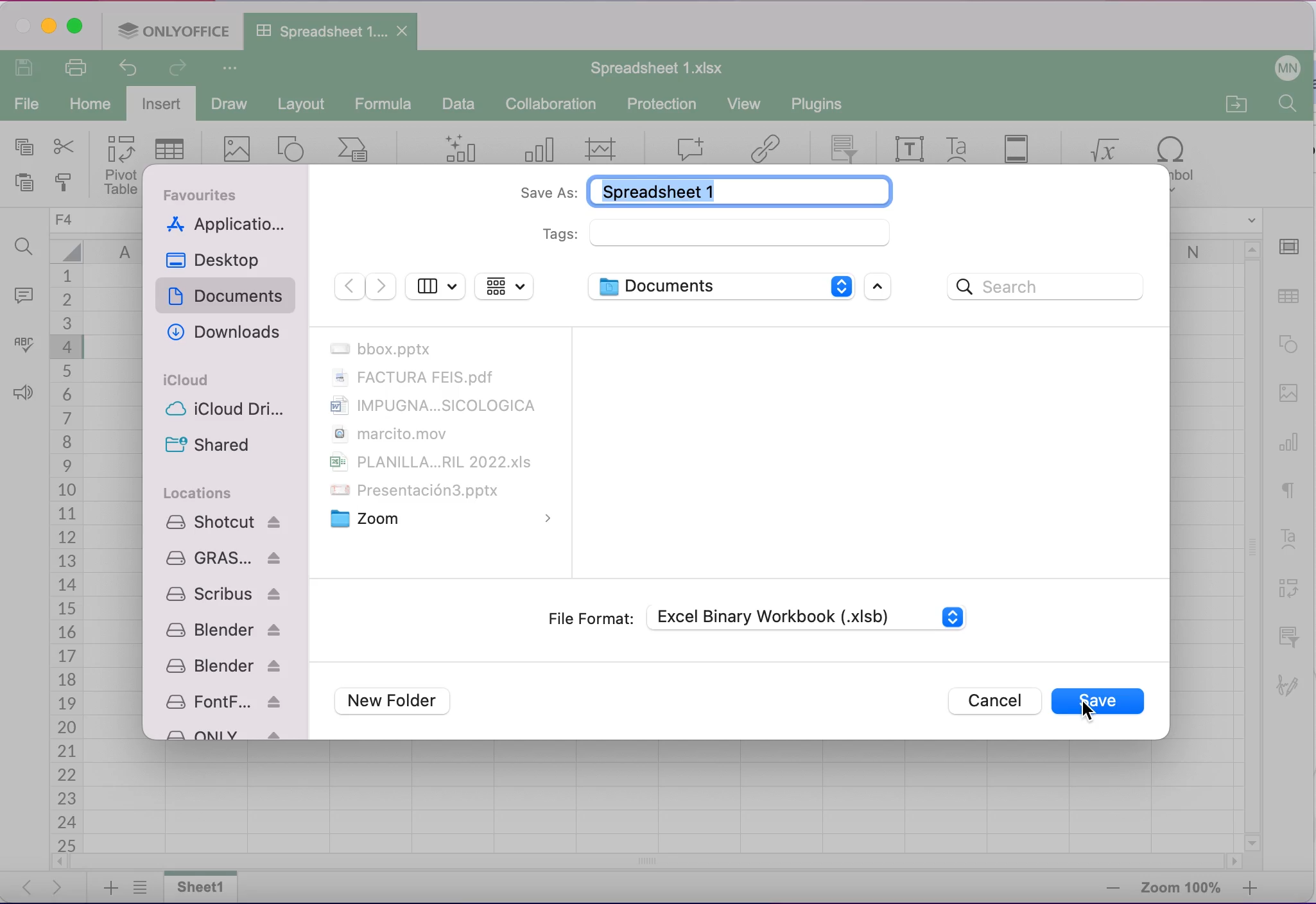  Describe the element at coordinates (207, 445) in the screenshot. I see `shared` at that location.